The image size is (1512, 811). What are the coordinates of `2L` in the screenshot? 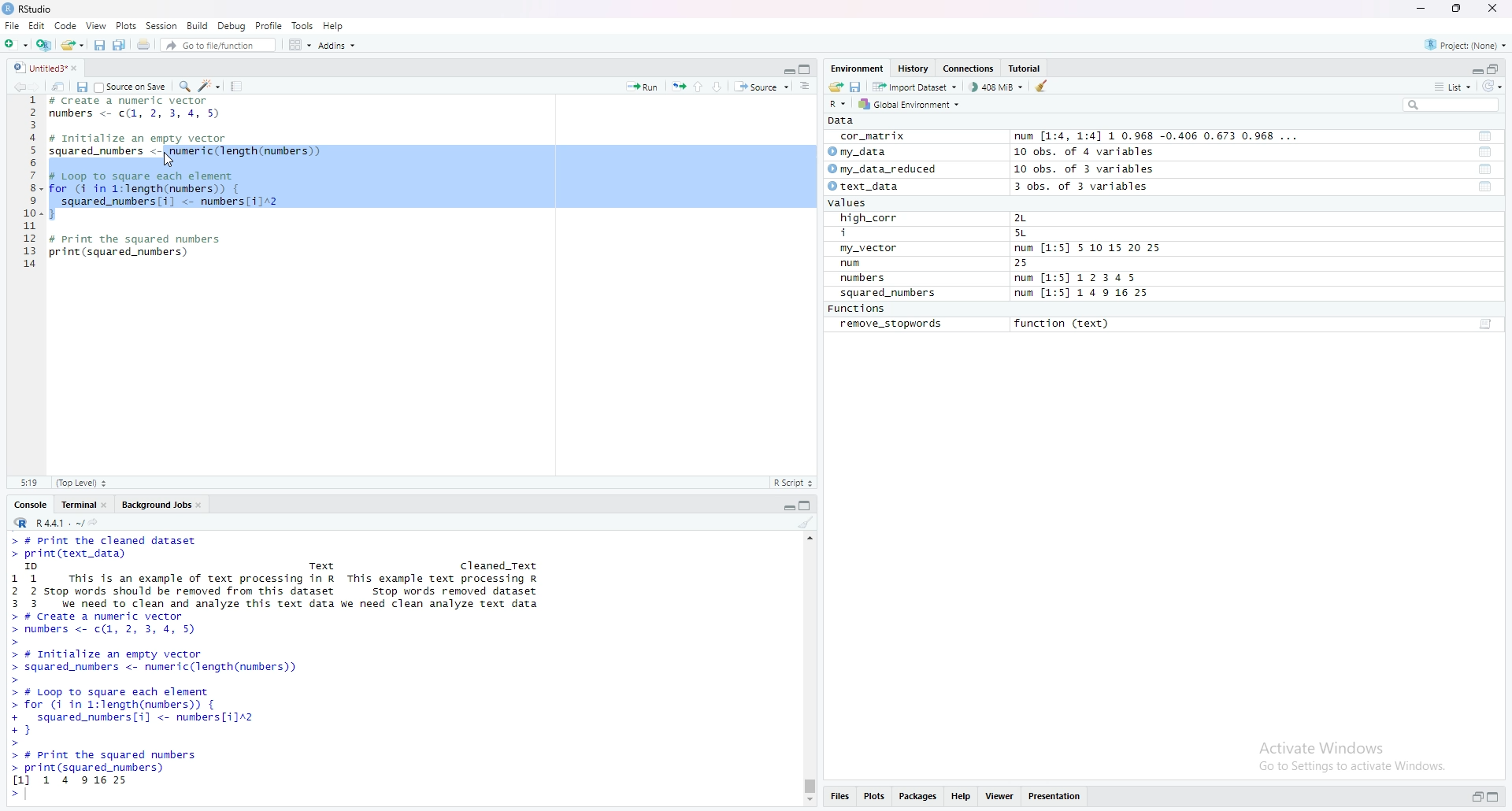 It's located at (1029, 218).